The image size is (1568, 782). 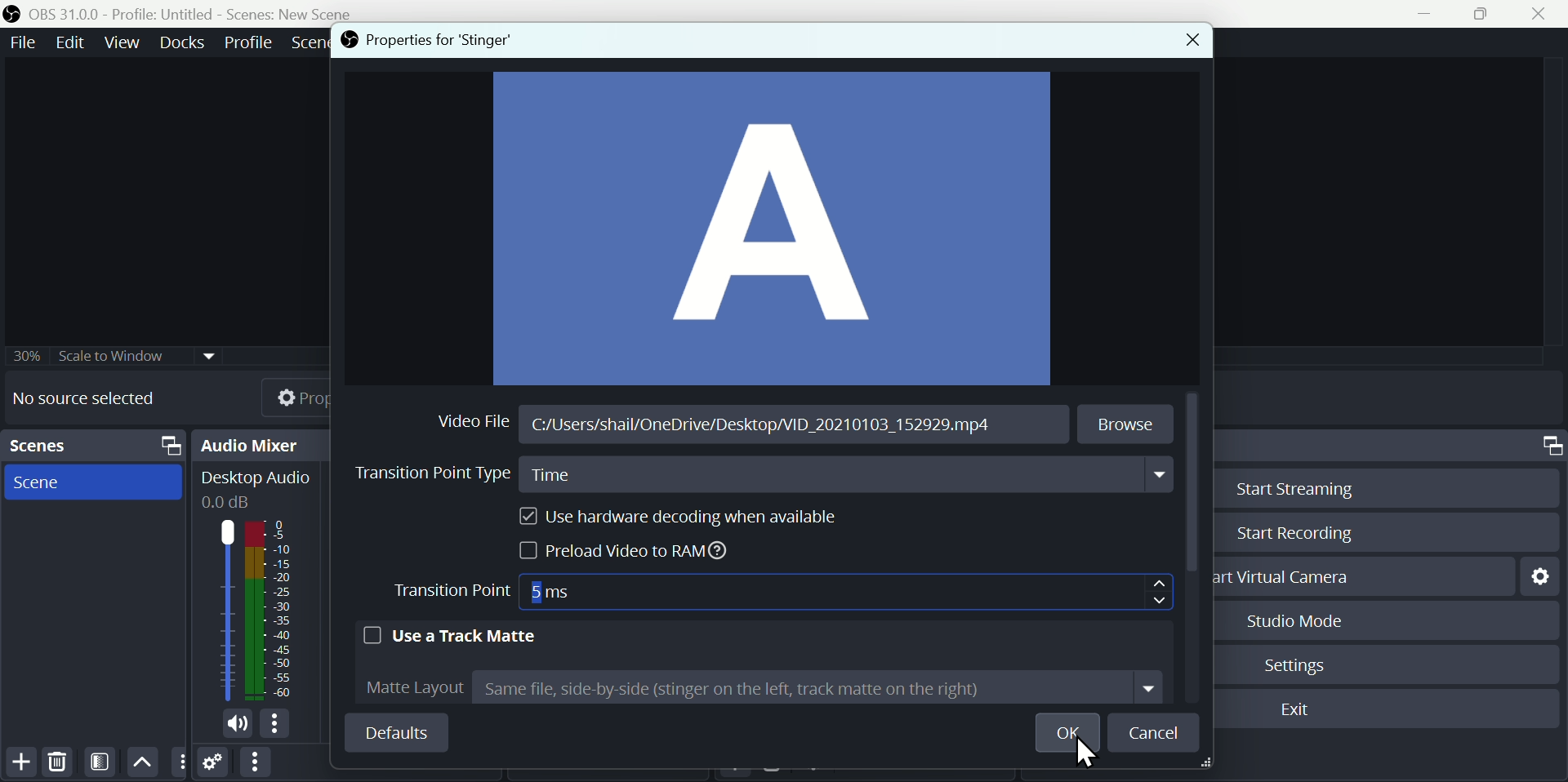 I want to click on Close, so click(x=1185, y=42).